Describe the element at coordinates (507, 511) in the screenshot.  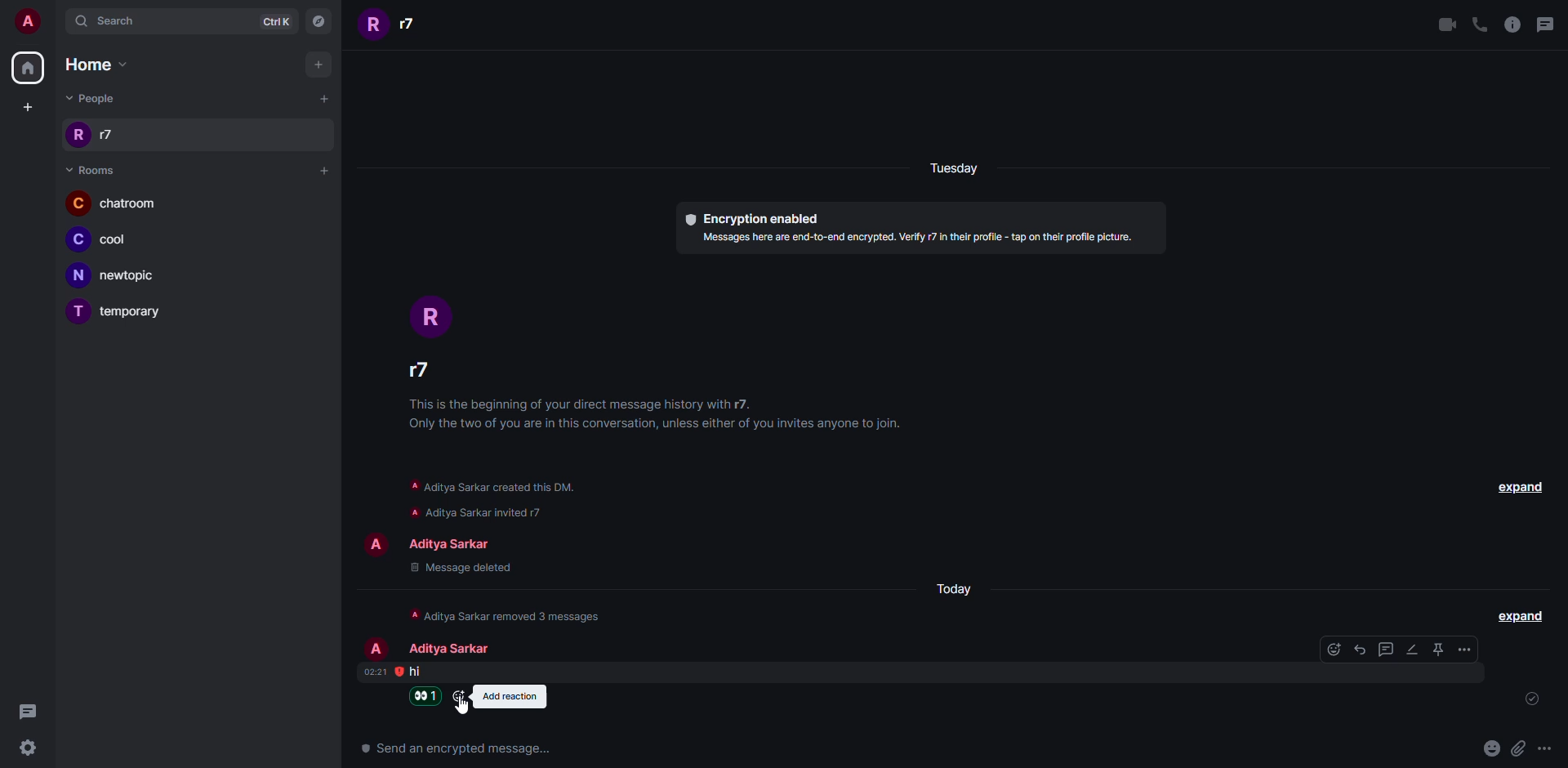
I see `info` at that location.